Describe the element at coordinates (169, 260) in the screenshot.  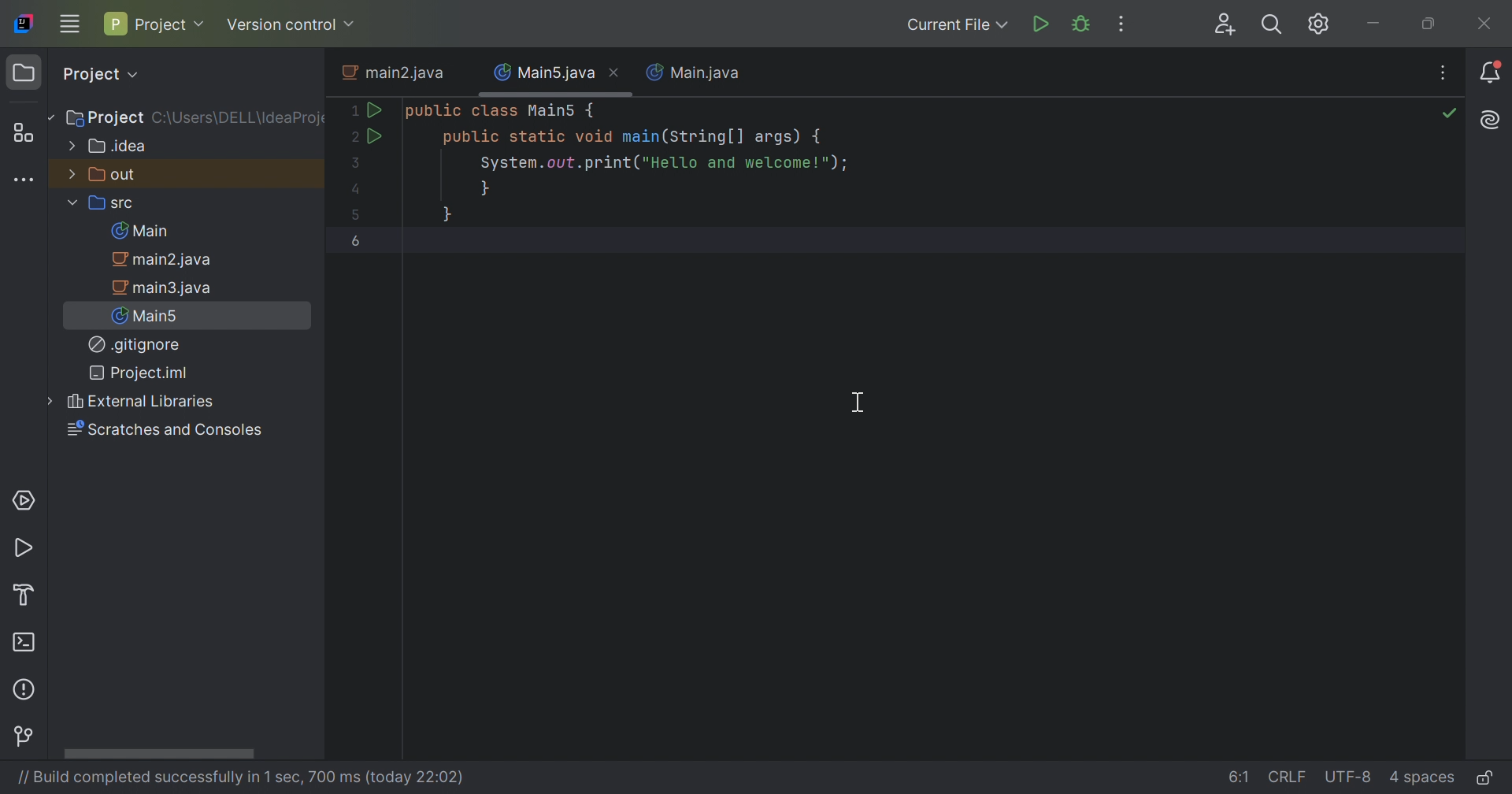
I see `main2.java` at that location.